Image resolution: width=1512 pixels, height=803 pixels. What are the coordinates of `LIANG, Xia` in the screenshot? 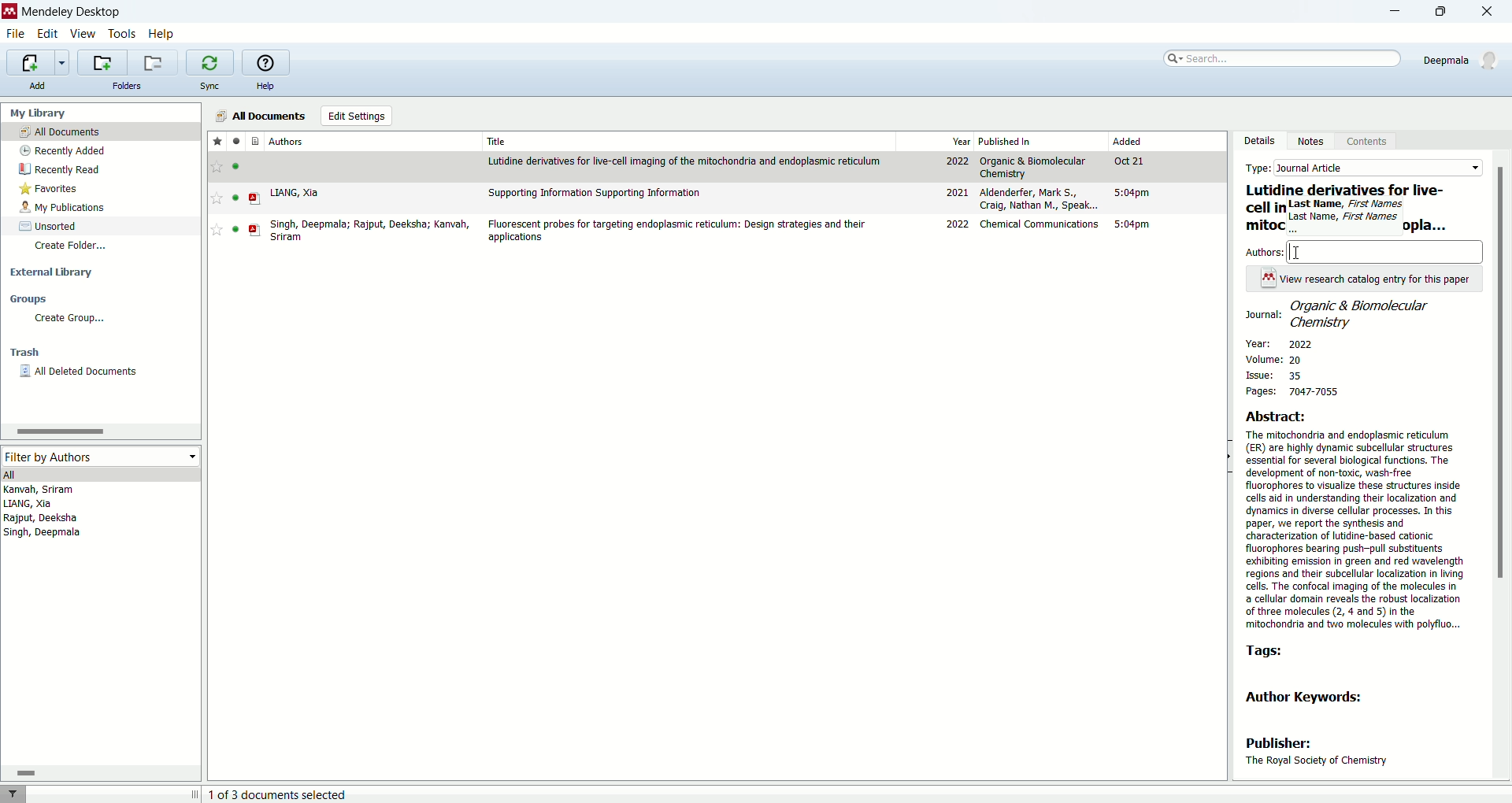 It's located at (30, 505).